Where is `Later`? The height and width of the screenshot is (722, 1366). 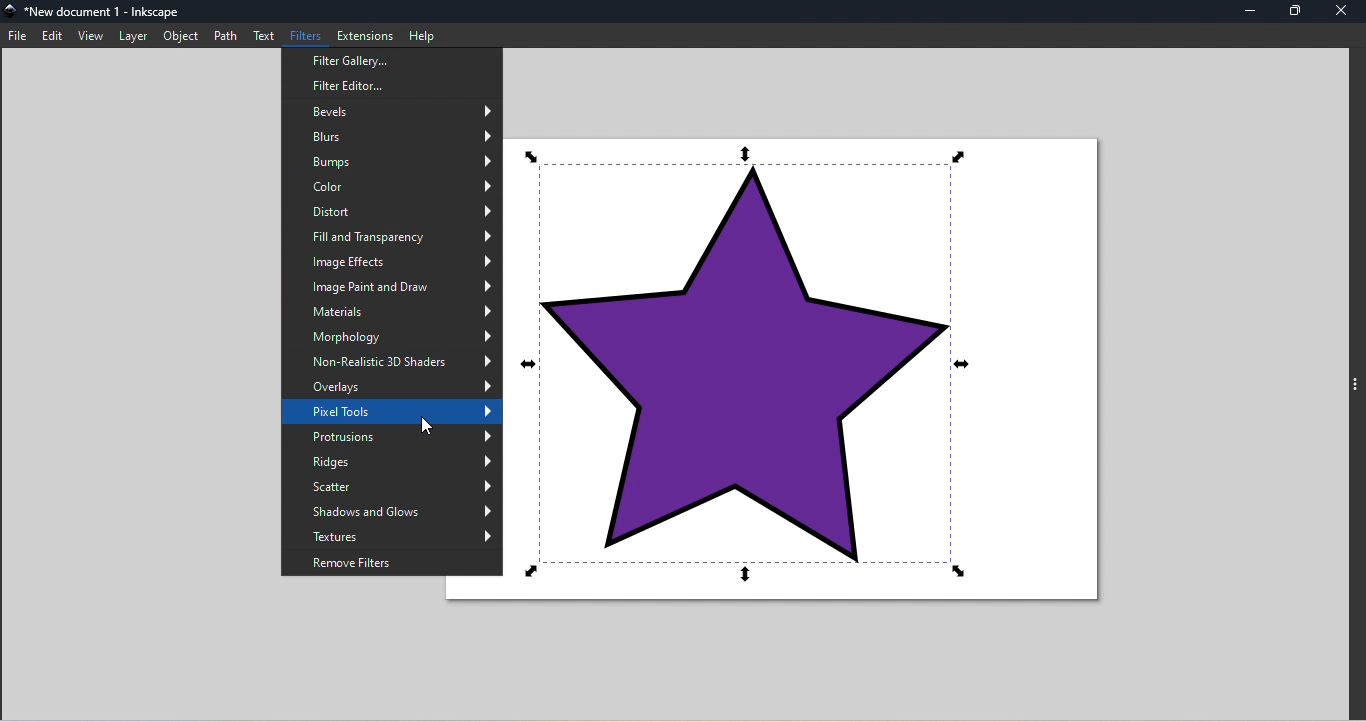
Later is located at coordinates (133, 39).